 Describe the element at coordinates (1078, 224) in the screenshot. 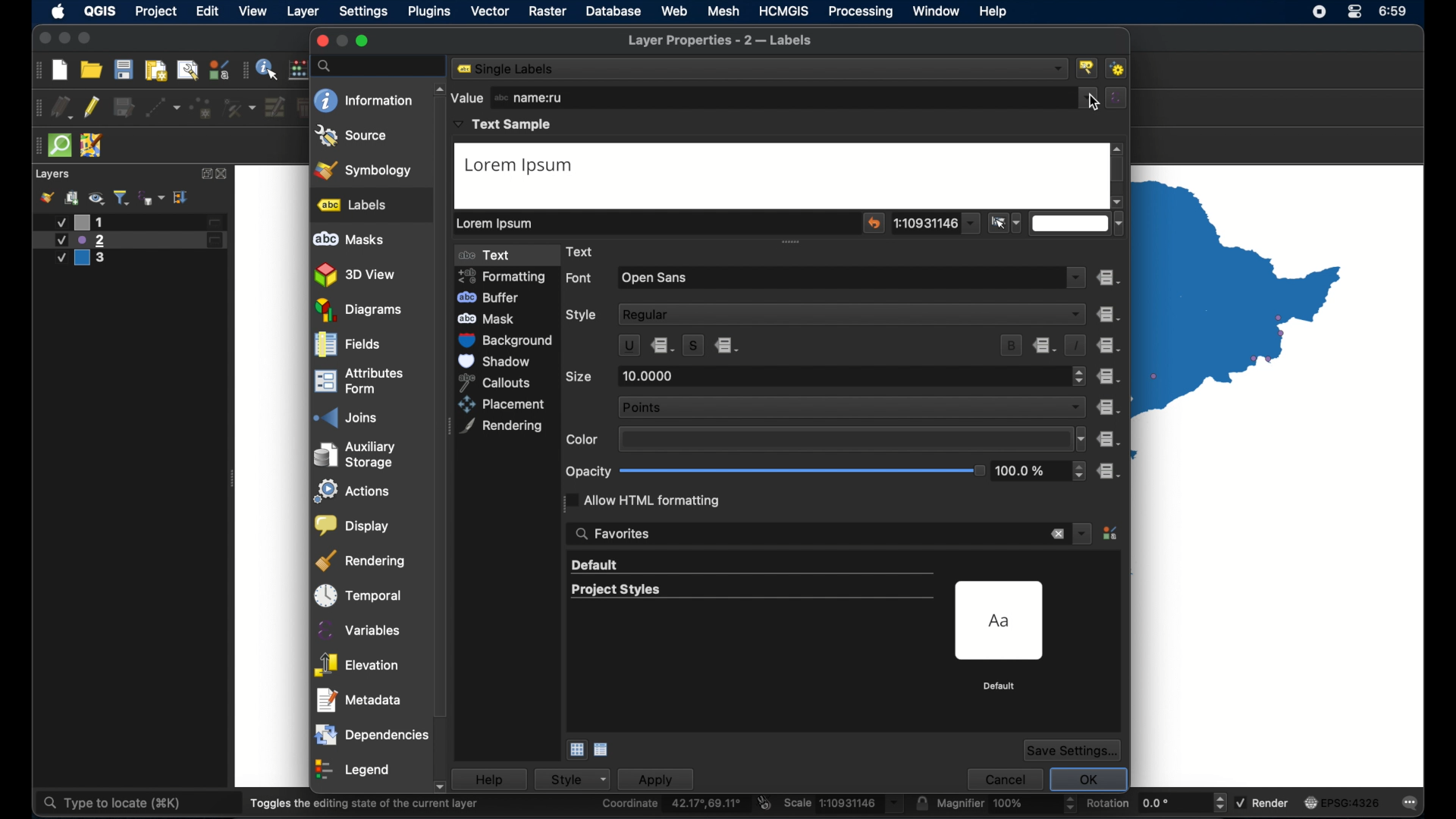

I see `dropdown menu` at that location.